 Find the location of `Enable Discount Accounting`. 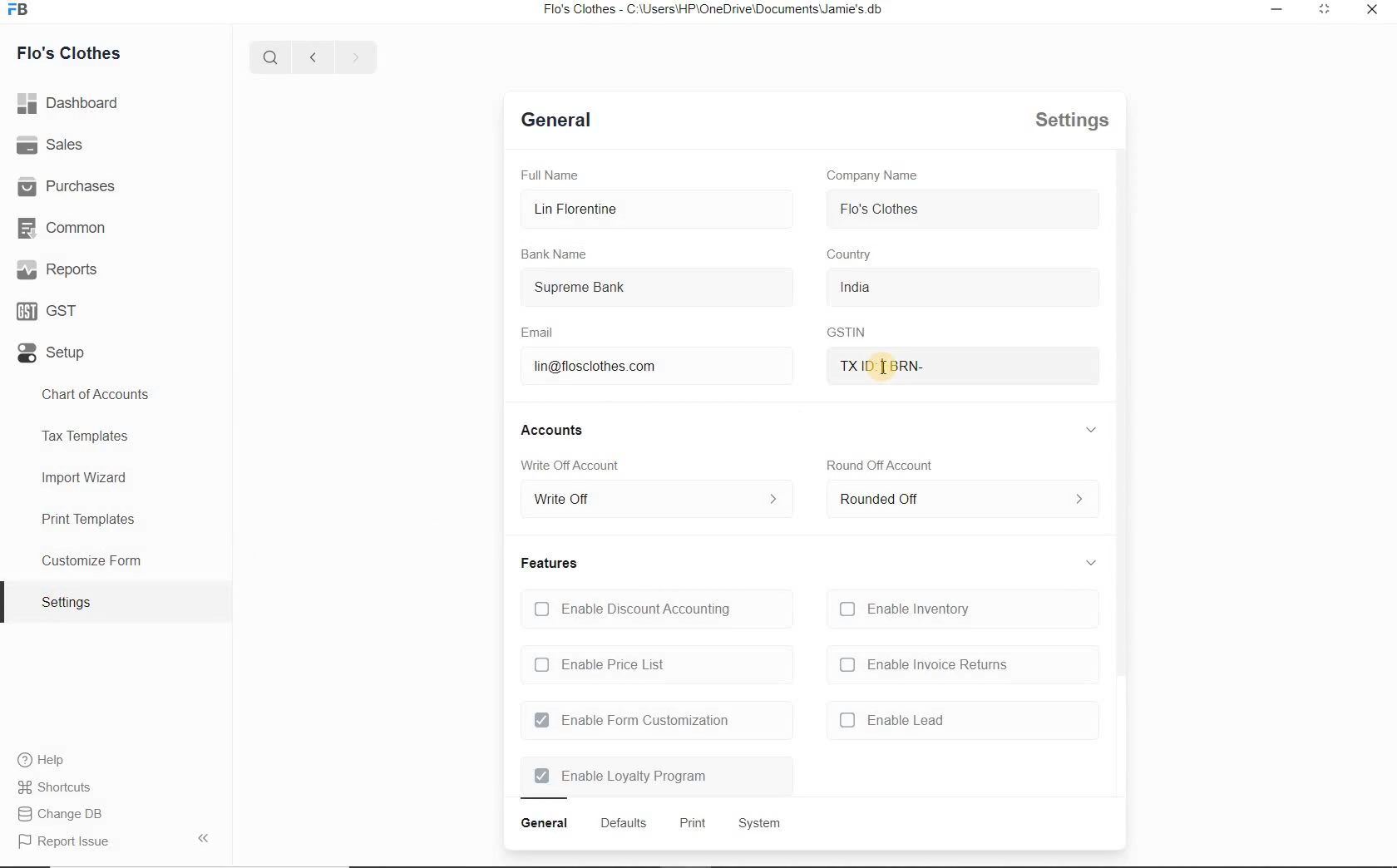

Enable Discount Accounting is located at coordinates (631, 609).